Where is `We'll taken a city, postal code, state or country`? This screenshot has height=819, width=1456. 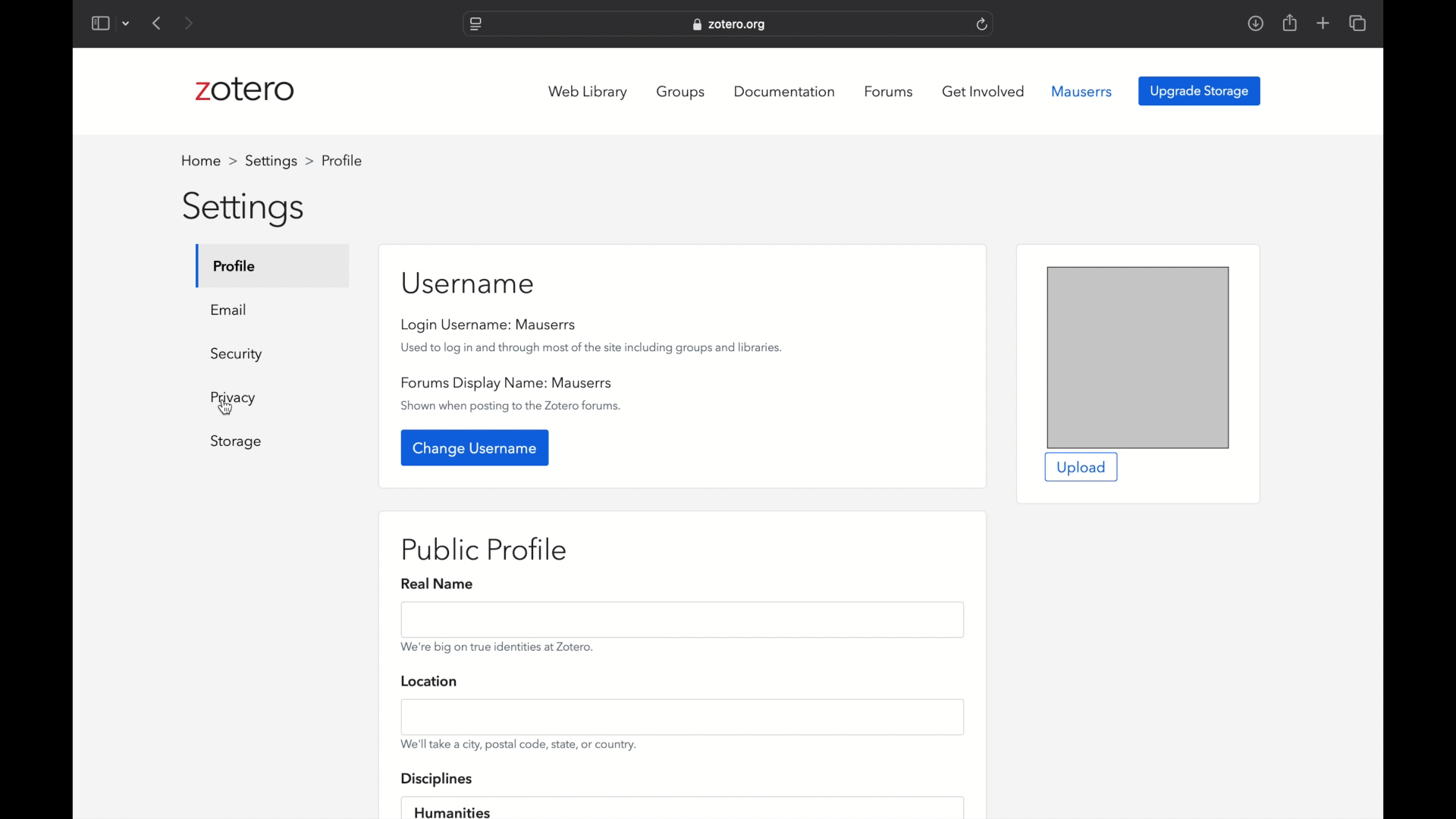 We'll taken a city, postal code, state or country is located at coordinates (519, 745).